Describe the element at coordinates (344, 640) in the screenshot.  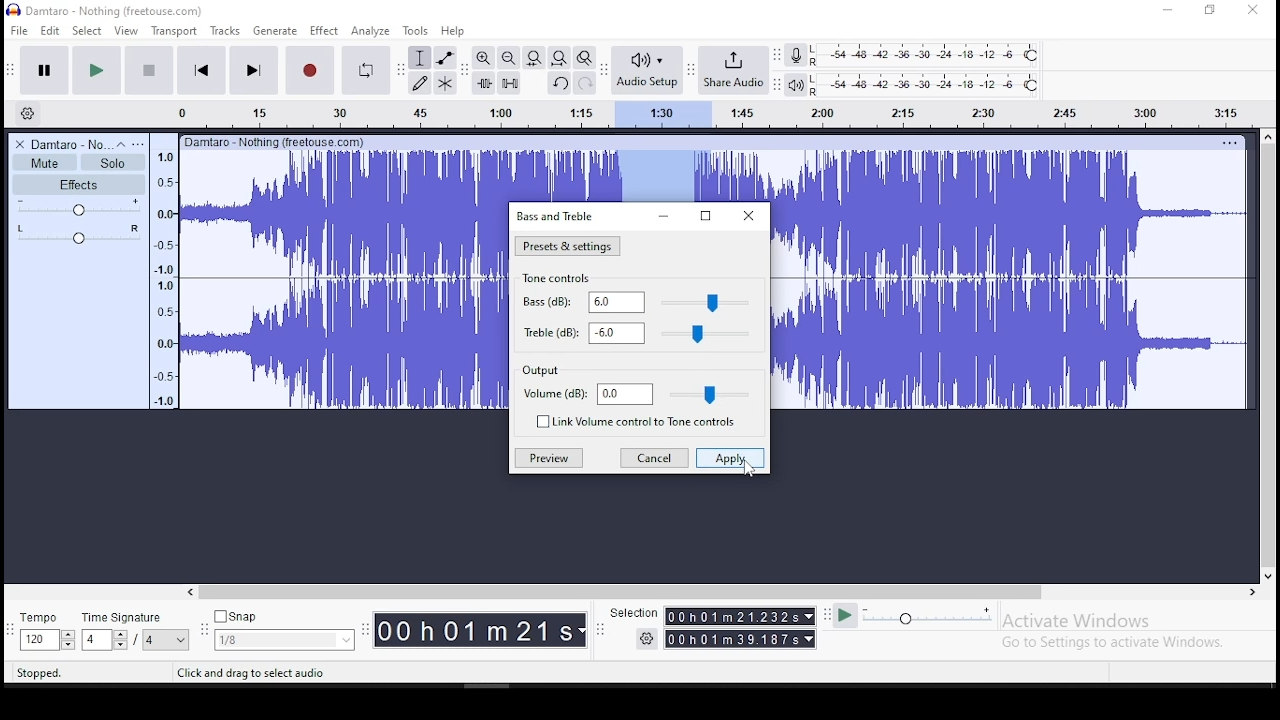
I see `drop down` at that location.